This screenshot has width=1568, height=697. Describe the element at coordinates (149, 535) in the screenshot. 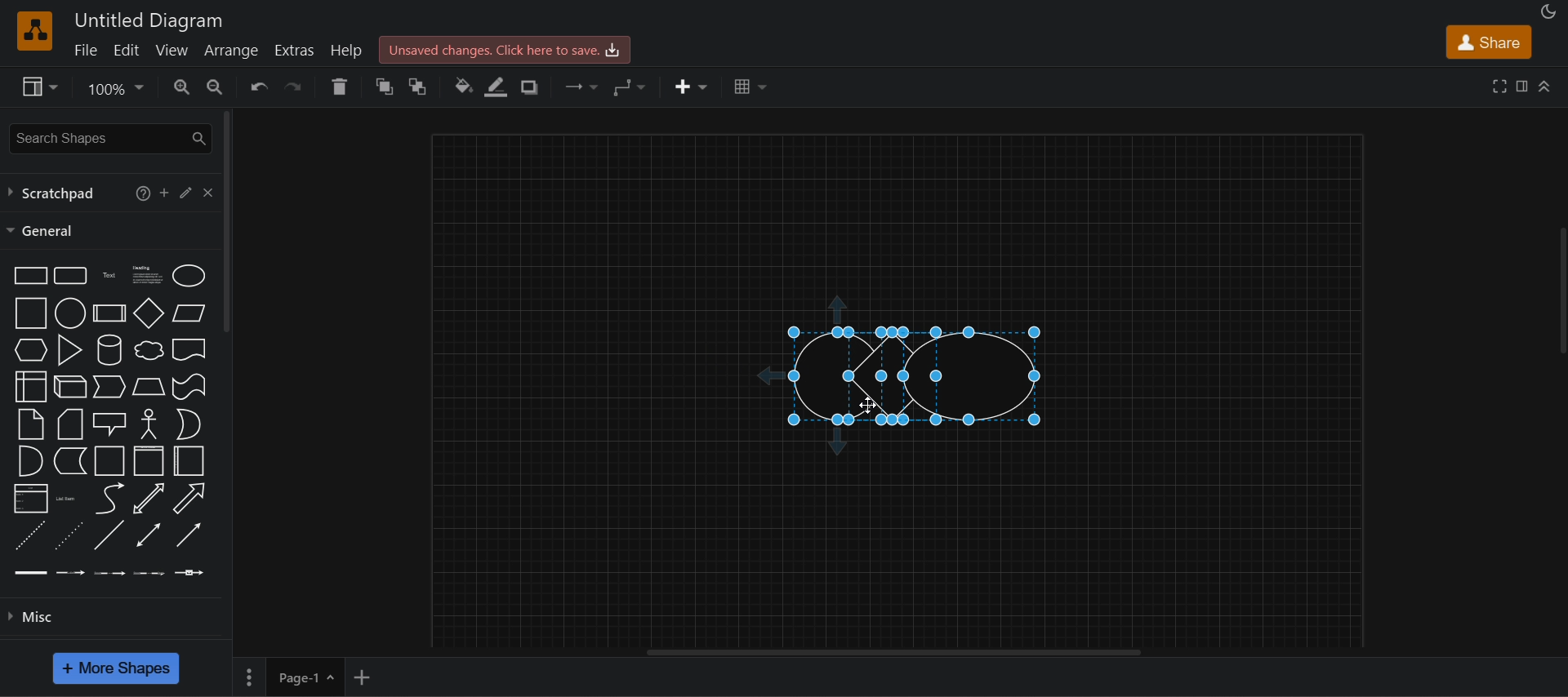

I see `Bidirectional connector` at that location.